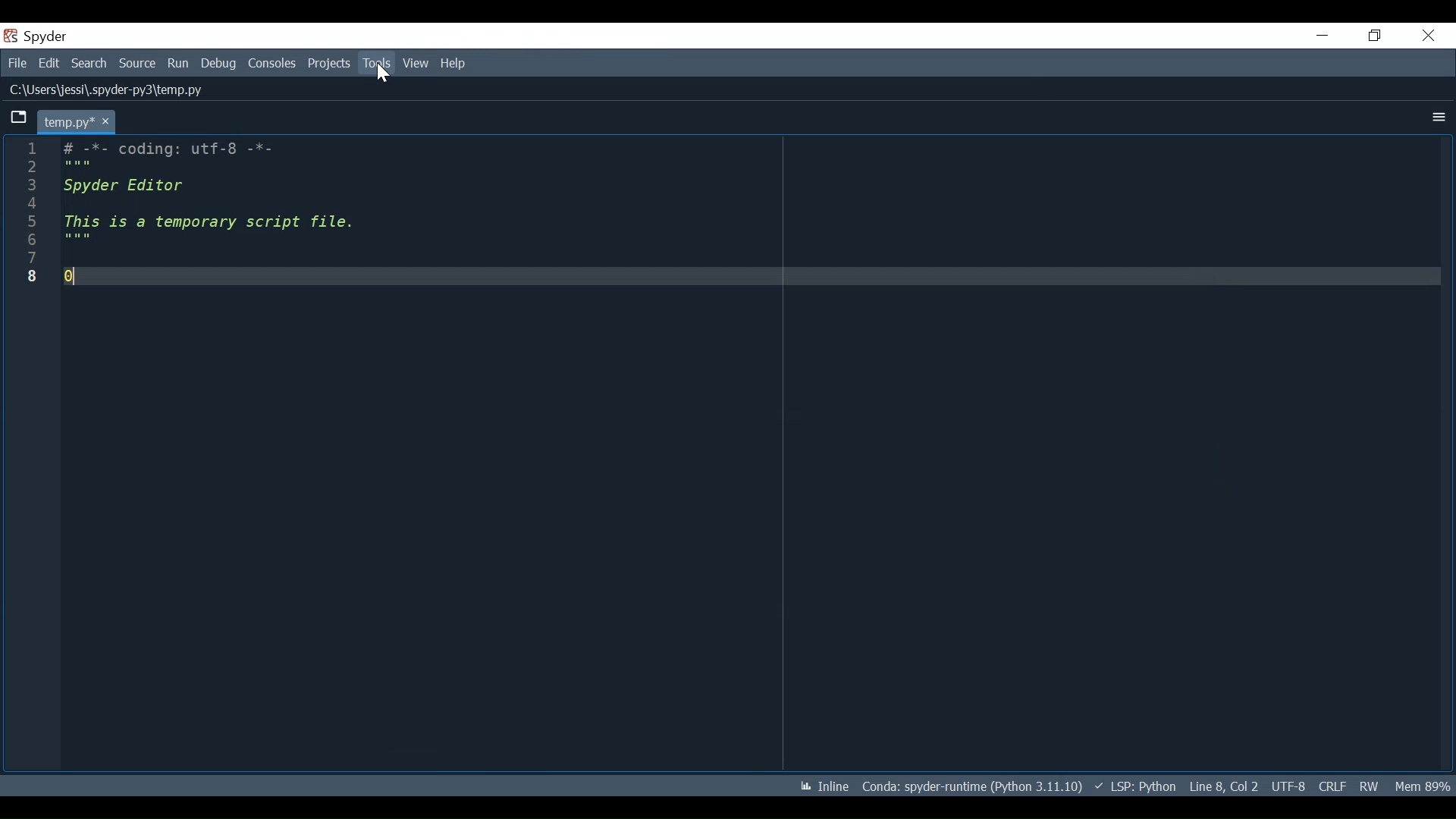 The height and width of the screenshot is (819, 1456). What do you see at coordinates (218, 63) in the screenshot?
I see `Debug` at bounding box center [218, 63].